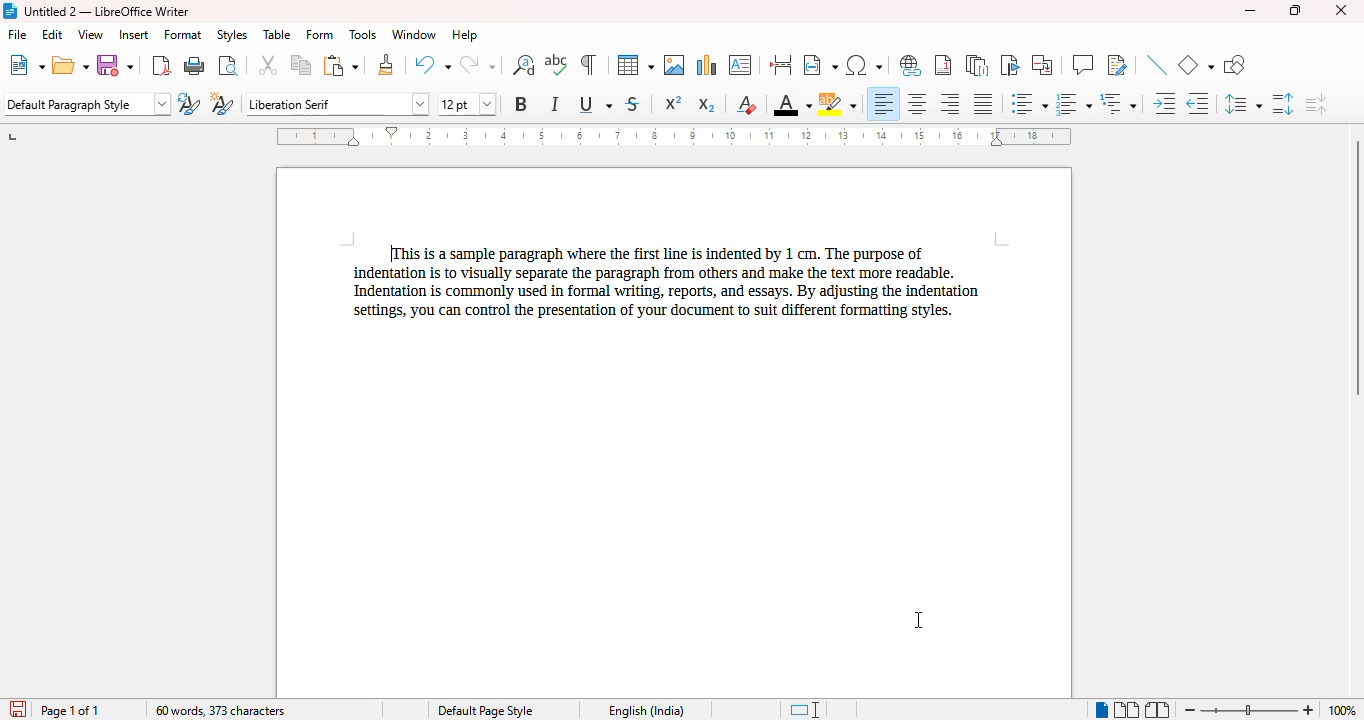  What do you see at coordinates (466, 35) in the screenshot?
I see `help` at bounding box center [466, 35].